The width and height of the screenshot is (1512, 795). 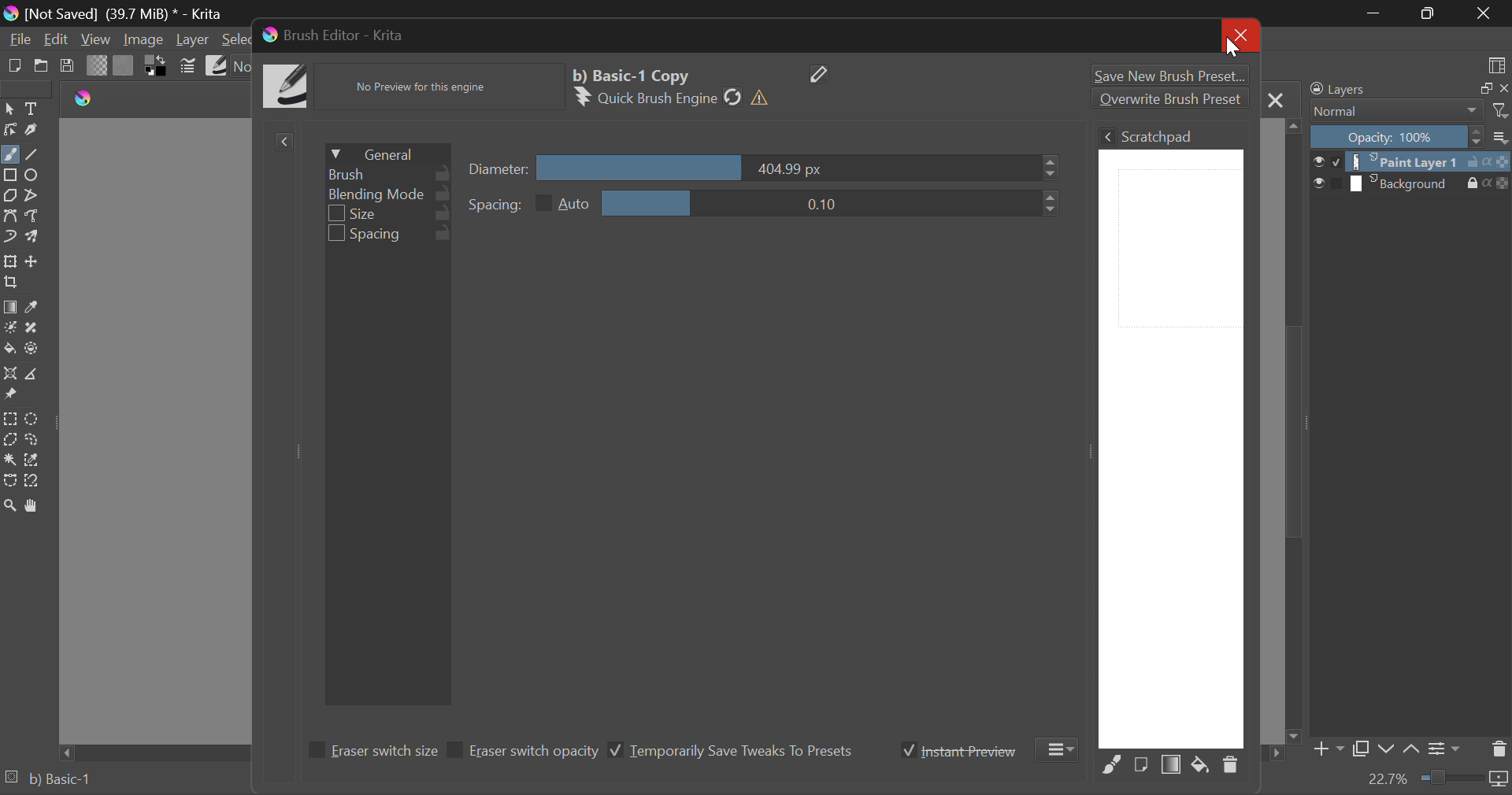 What do you see at coordinates (9, 261) in the screenshot?
I see `Transform a layer` at bounding box center [9, 261].